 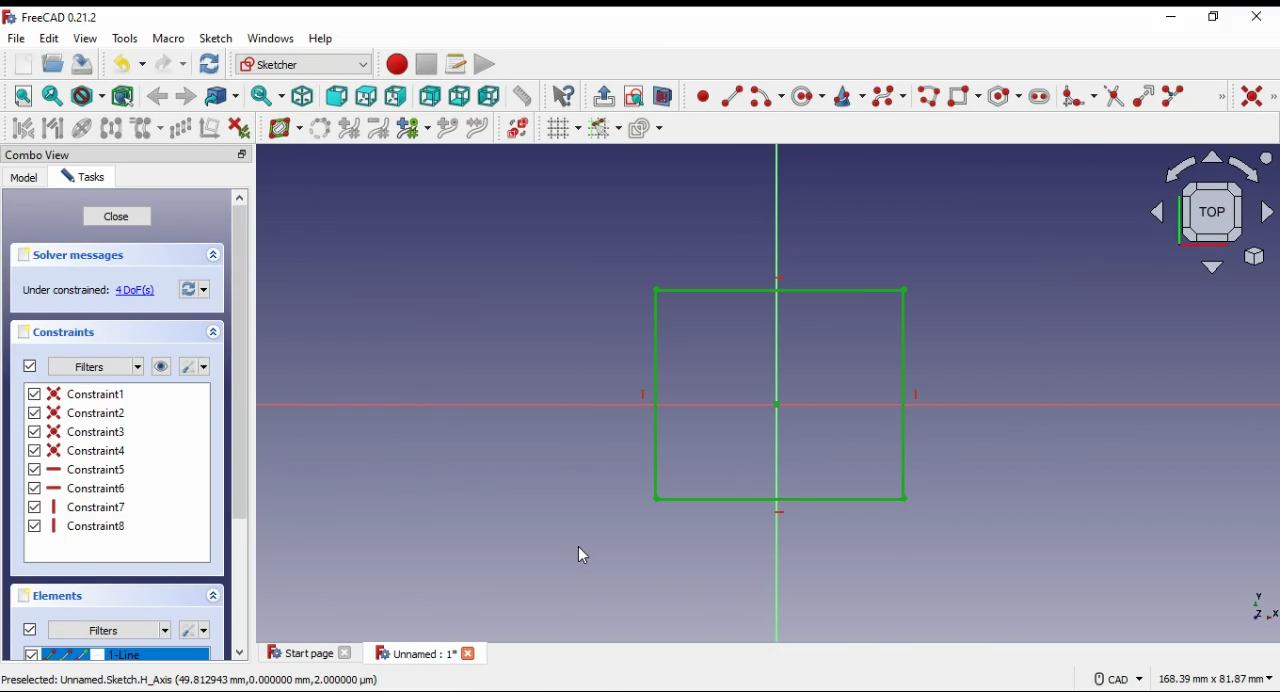 What do you see at coordinates (91, 526) in the screenshot?
I see `Constraint` at bounding box center [91, 526].